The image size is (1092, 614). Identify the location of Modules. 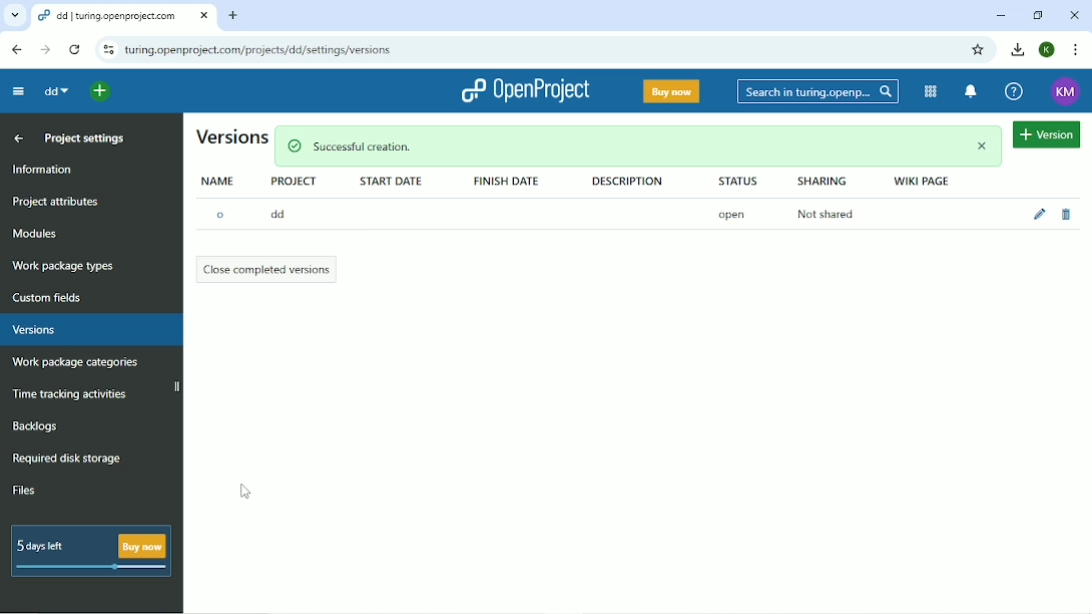
(930, 91).